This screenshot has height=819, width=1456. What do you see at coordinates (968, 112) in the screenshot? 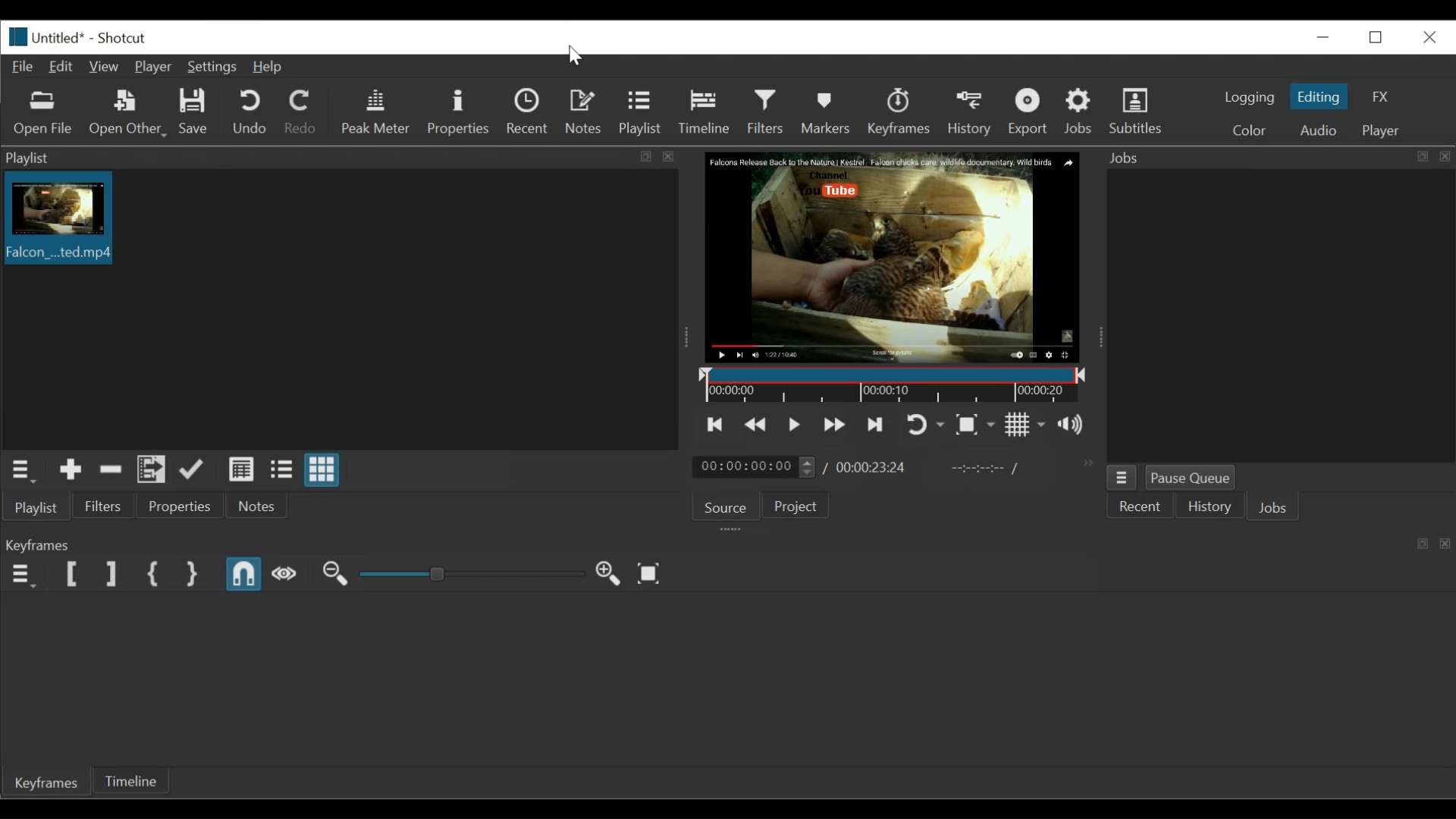
I see `History` at bounding box center [968, 112].